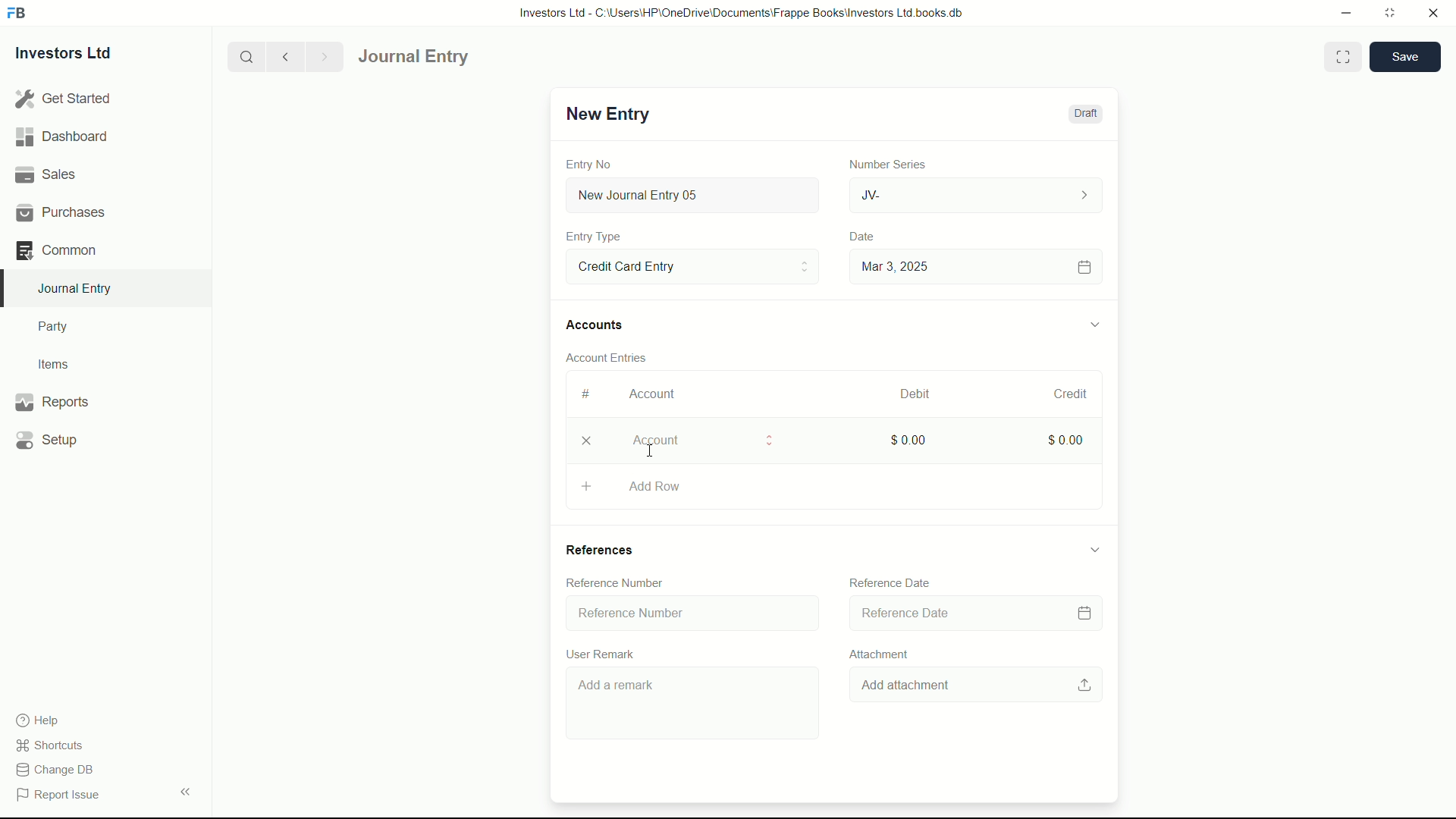 The width and height of the screenshot is (1456, 819). Describe the element at coordinates (864, 237) in the screenshot. I see `Date` at that location.